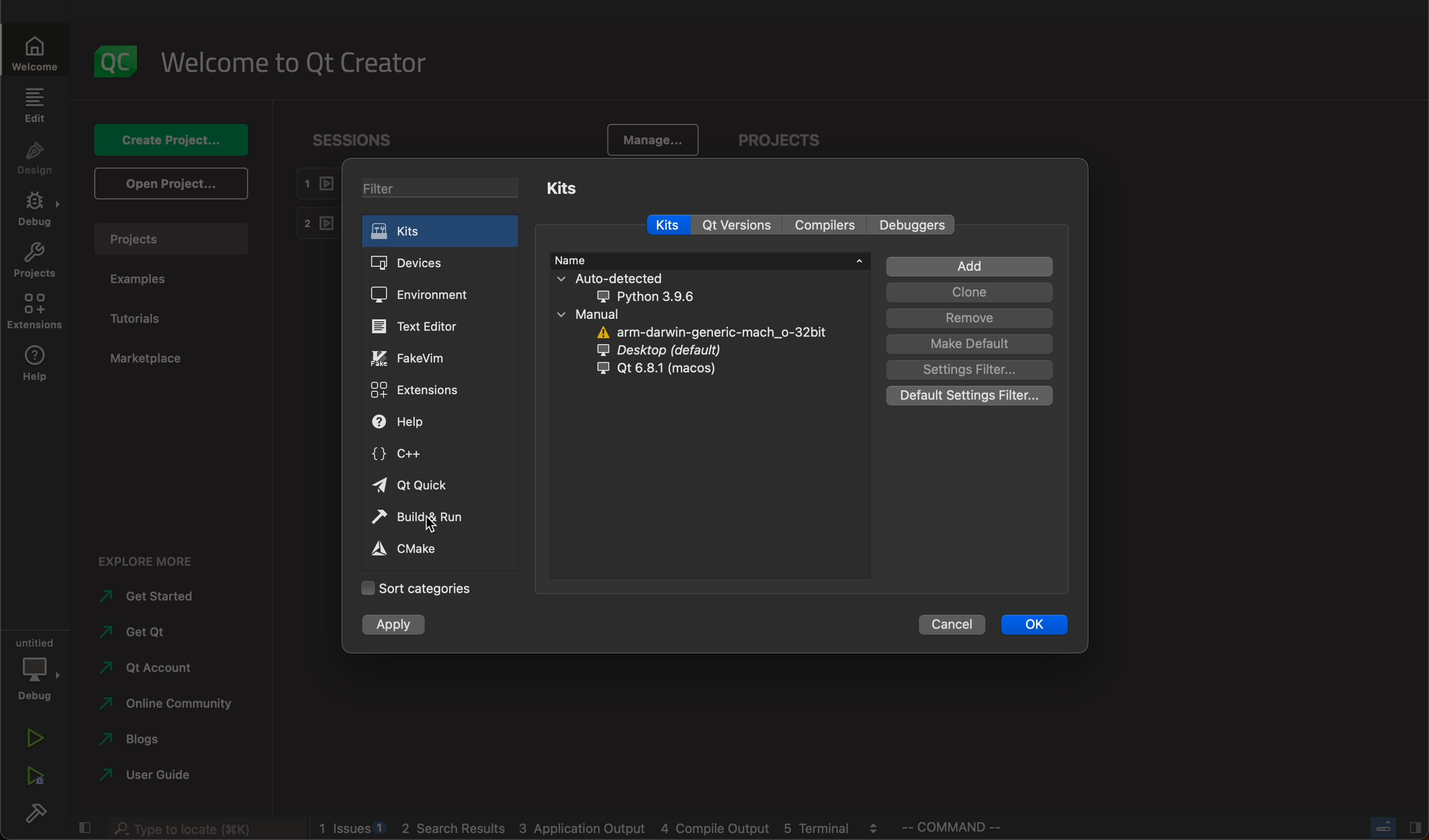  Describe the element at coordinates (428, 389) in the screenshot. I see `extensions` at that location.